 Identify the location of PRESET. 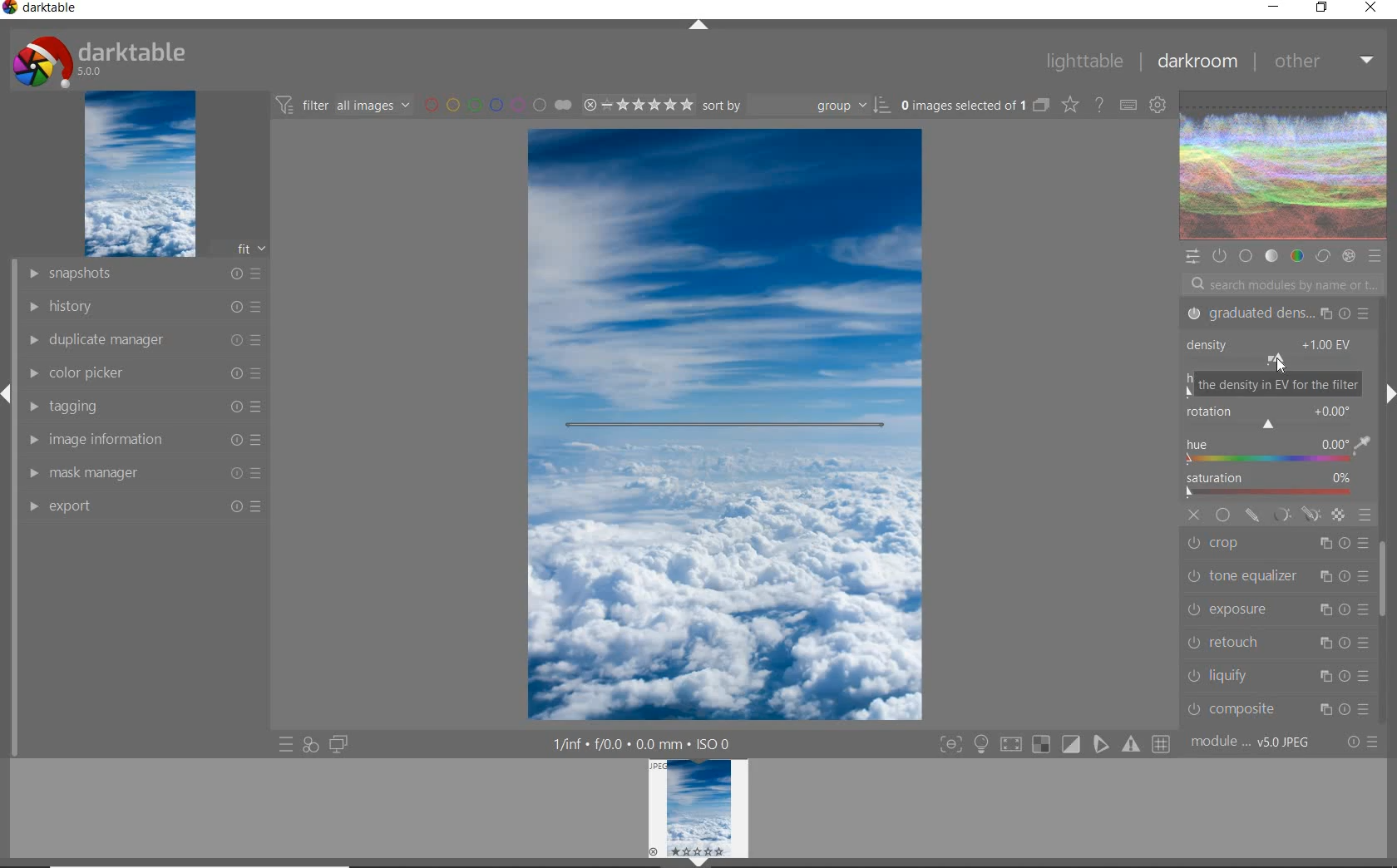
(1375, 256).